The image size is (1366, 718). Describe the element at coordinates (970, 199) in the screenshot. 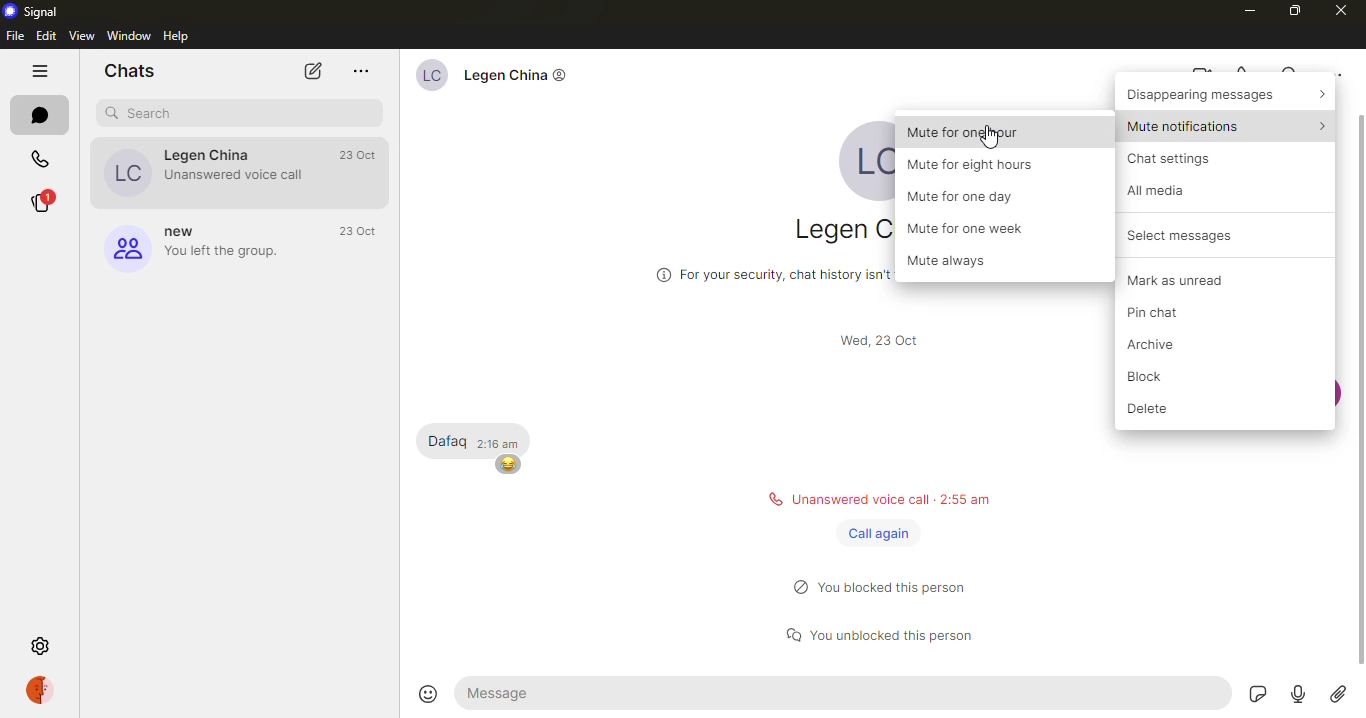

I see `mute for 1 day` at that location.